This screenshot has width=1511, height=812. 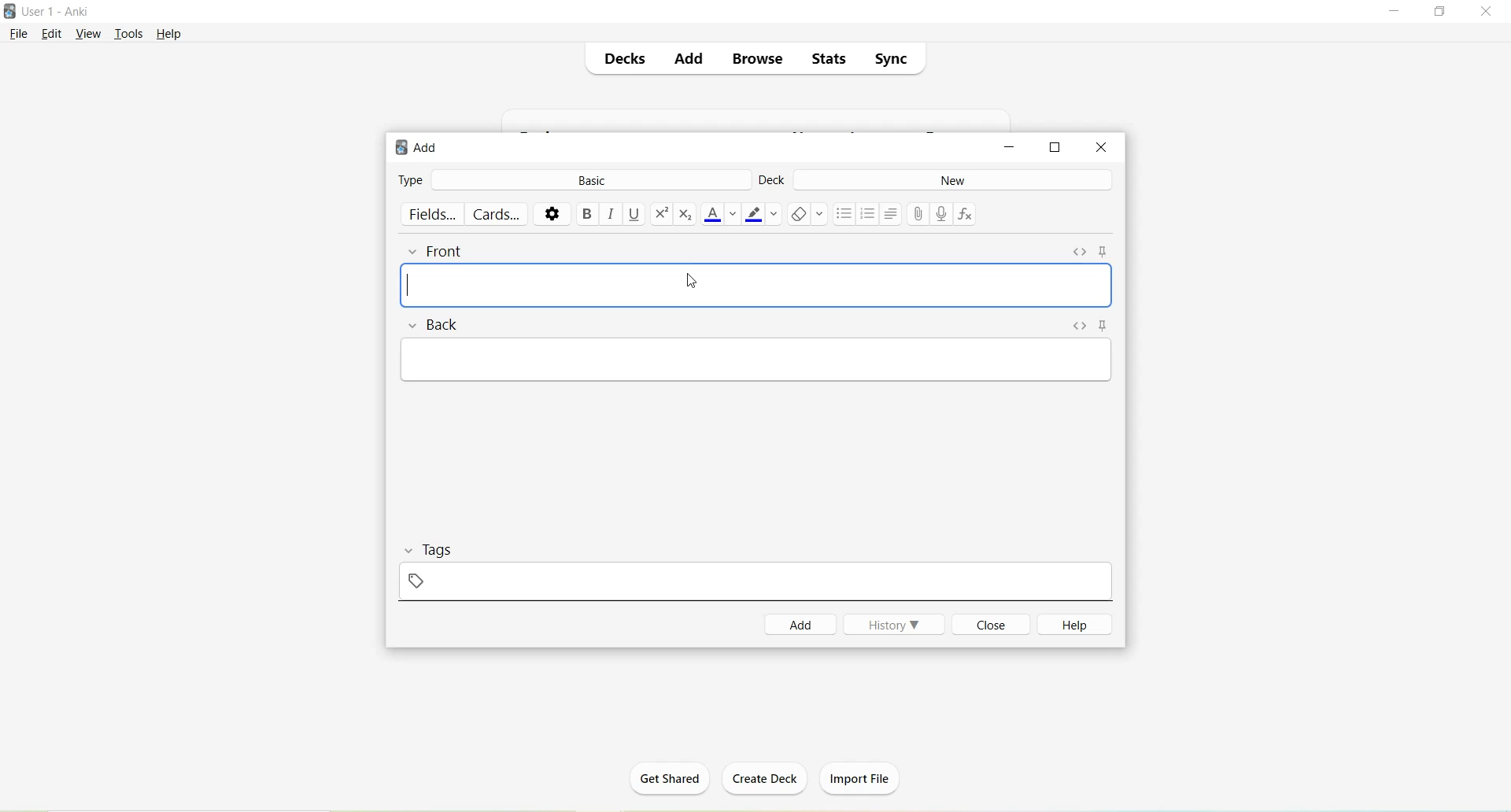 What do you see at coordinates (418, 581) in the screenshot?
I see `Add Tag` at bounding box center [418, 581].